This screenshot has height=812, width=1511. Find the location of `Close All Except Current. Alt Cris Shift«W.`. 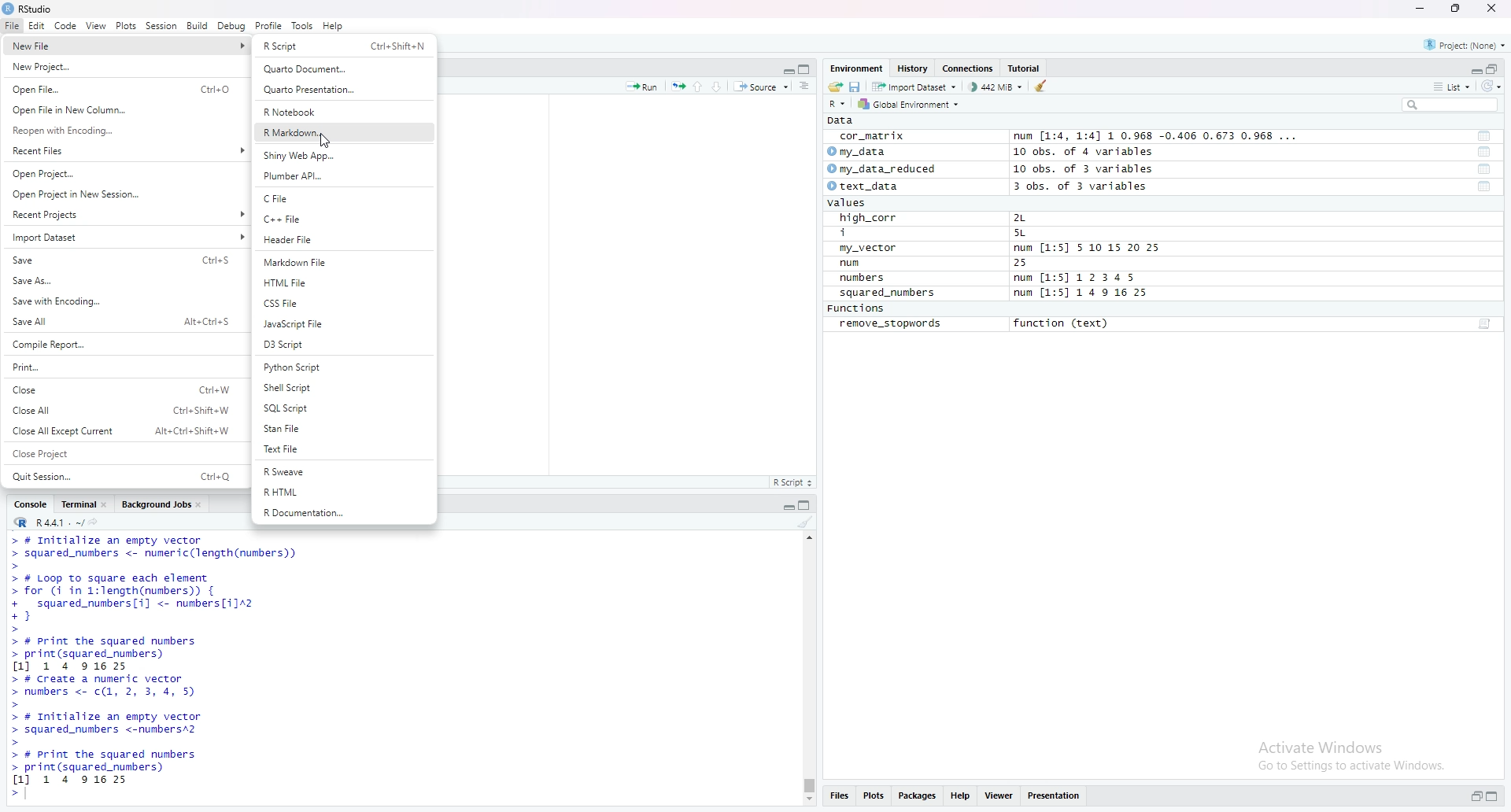

Close All Except Current. Alt Cris Shift«W. is located at coordinates (120, 431).